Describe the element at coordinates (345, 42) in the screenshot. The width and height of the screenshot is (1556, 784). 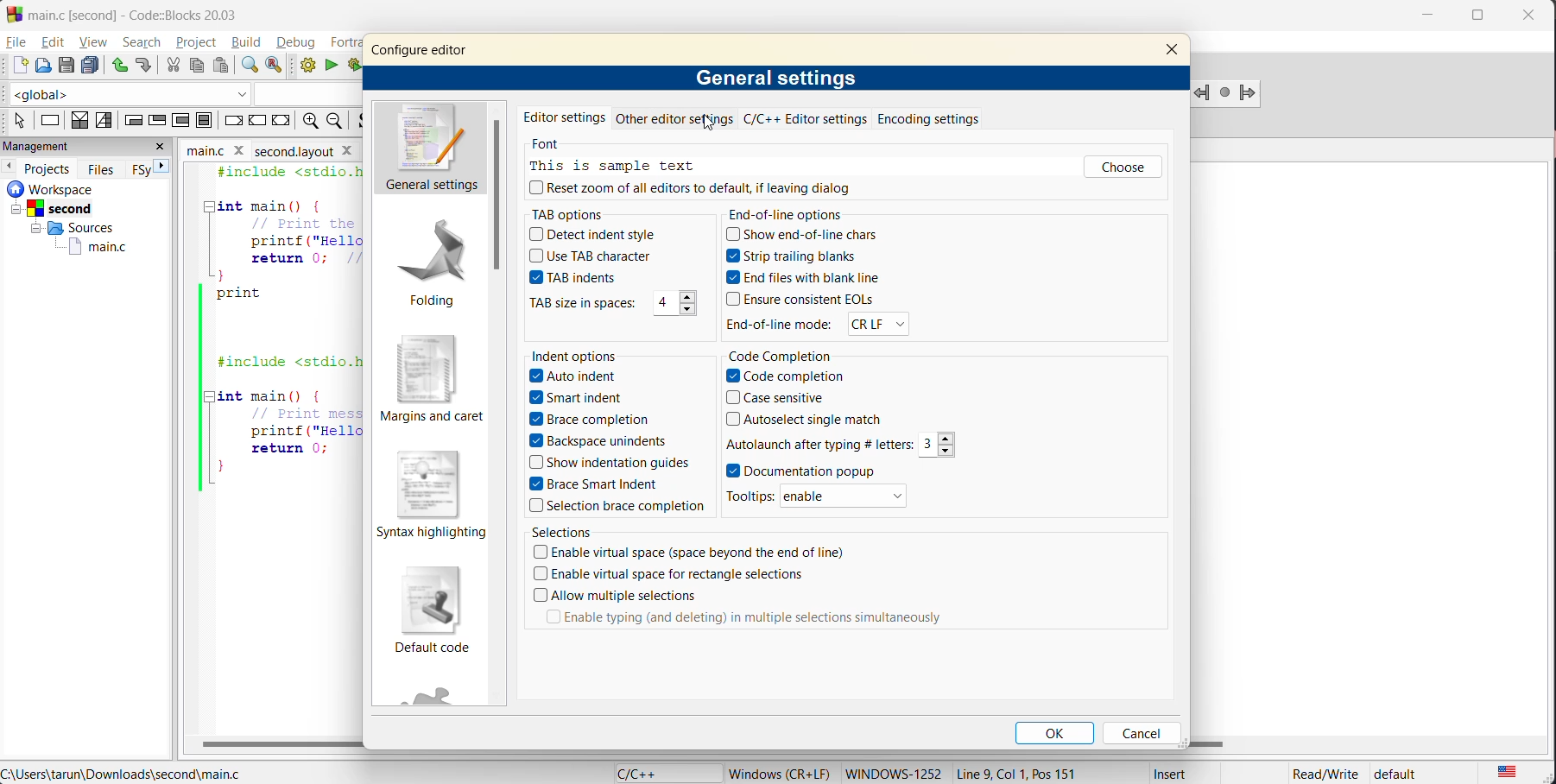
I see `fortran` at that location.